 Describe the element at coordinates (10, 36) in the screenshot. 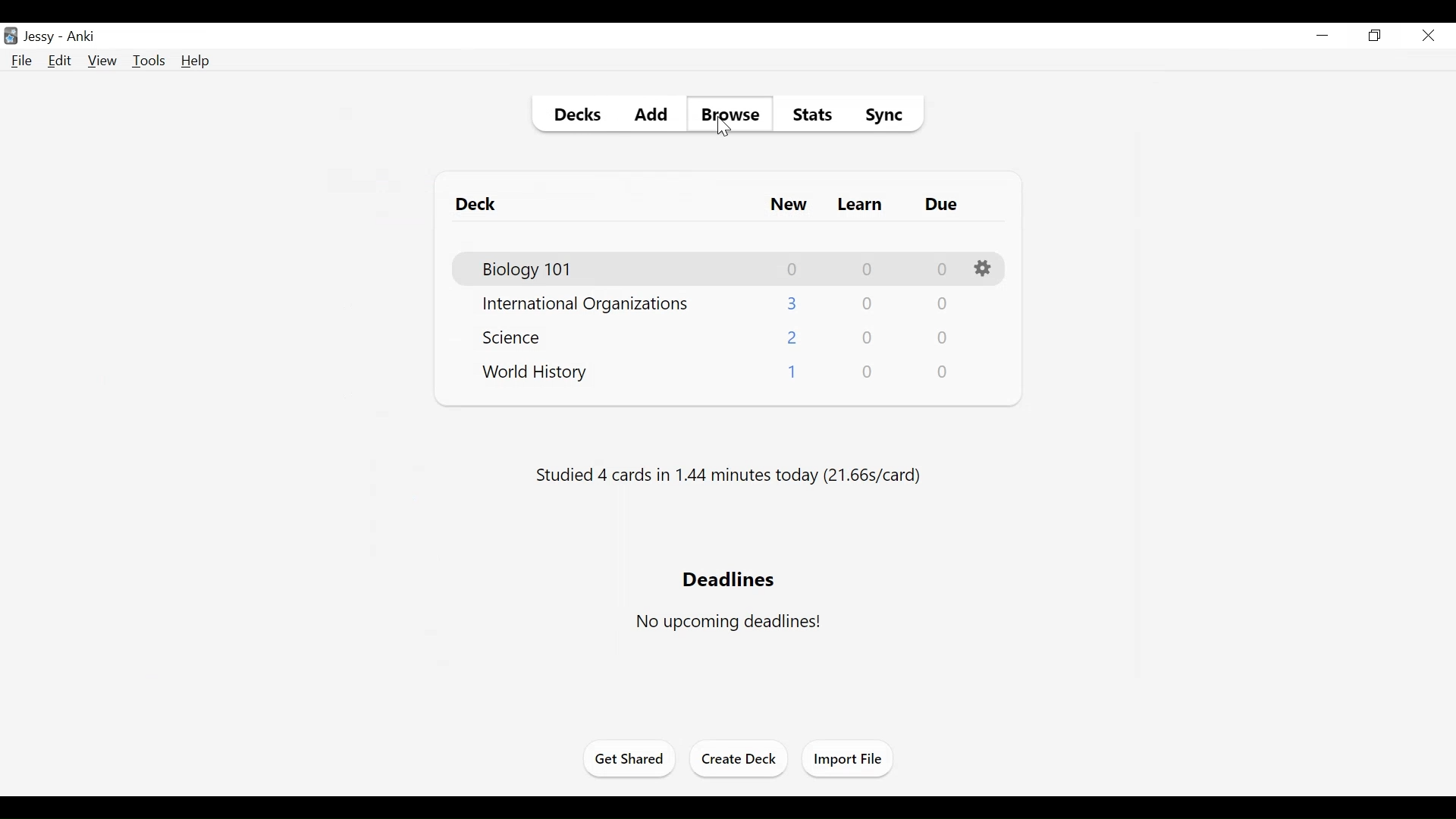

I see `Anki Desktop icon` at that location.